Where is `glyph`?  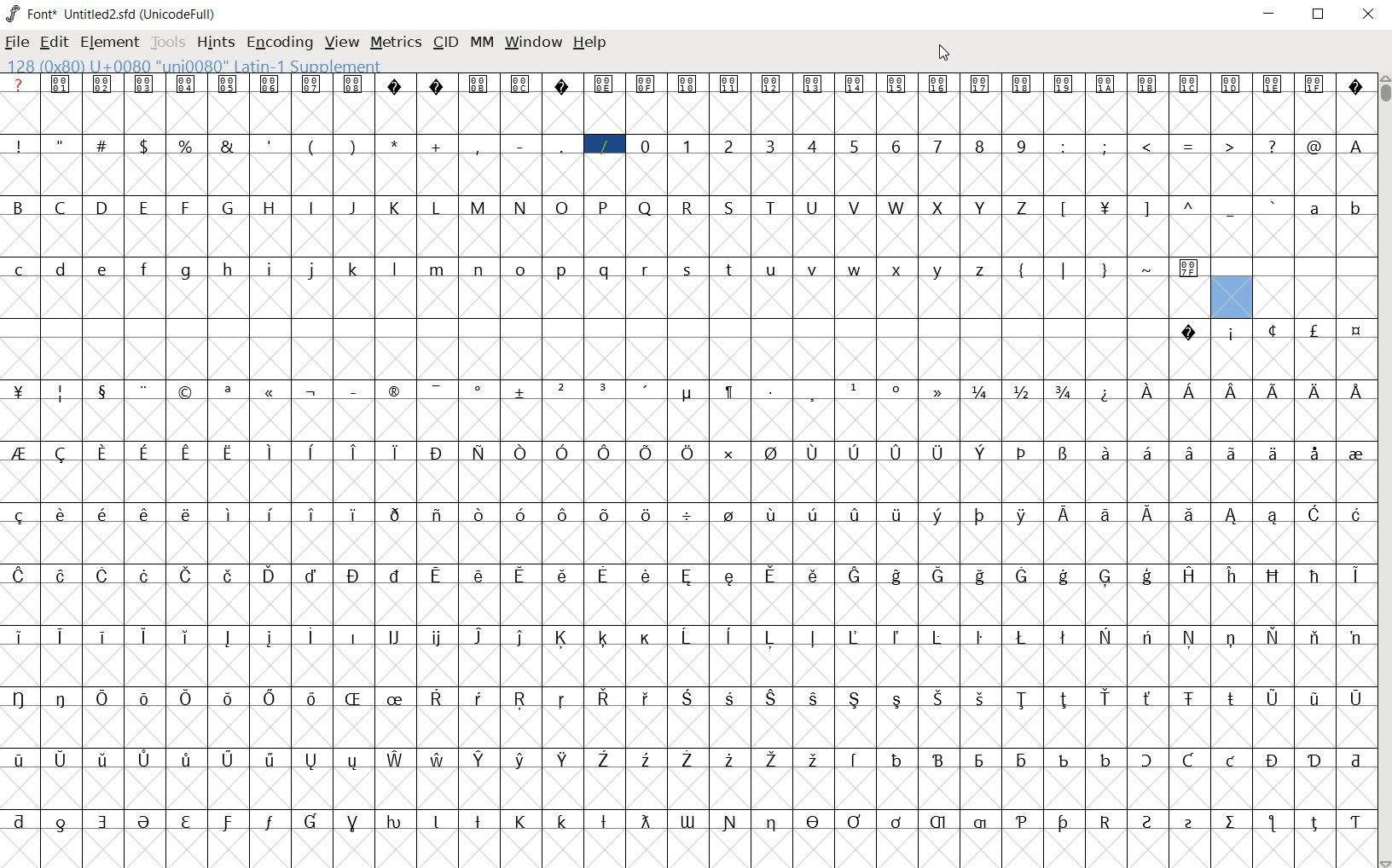
glyph is located at coordinates (185, 146).